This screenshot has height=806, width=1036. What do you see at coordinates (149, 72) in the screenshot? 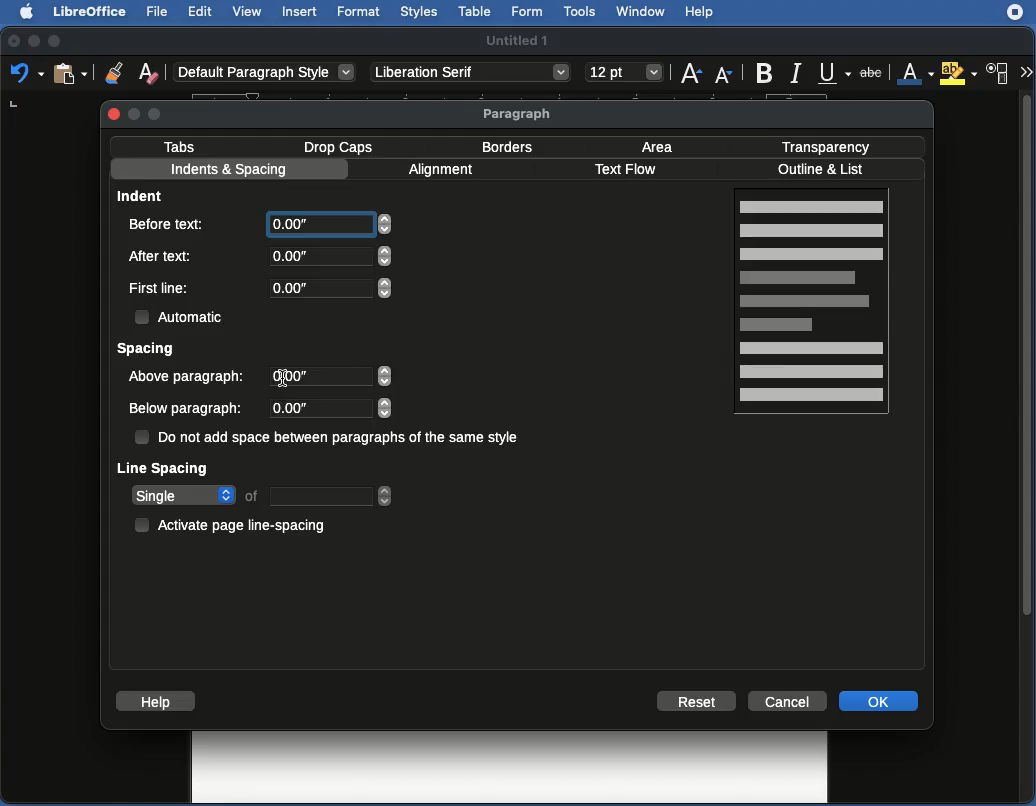
I see `Clear ` at bounding box center [149, 72].